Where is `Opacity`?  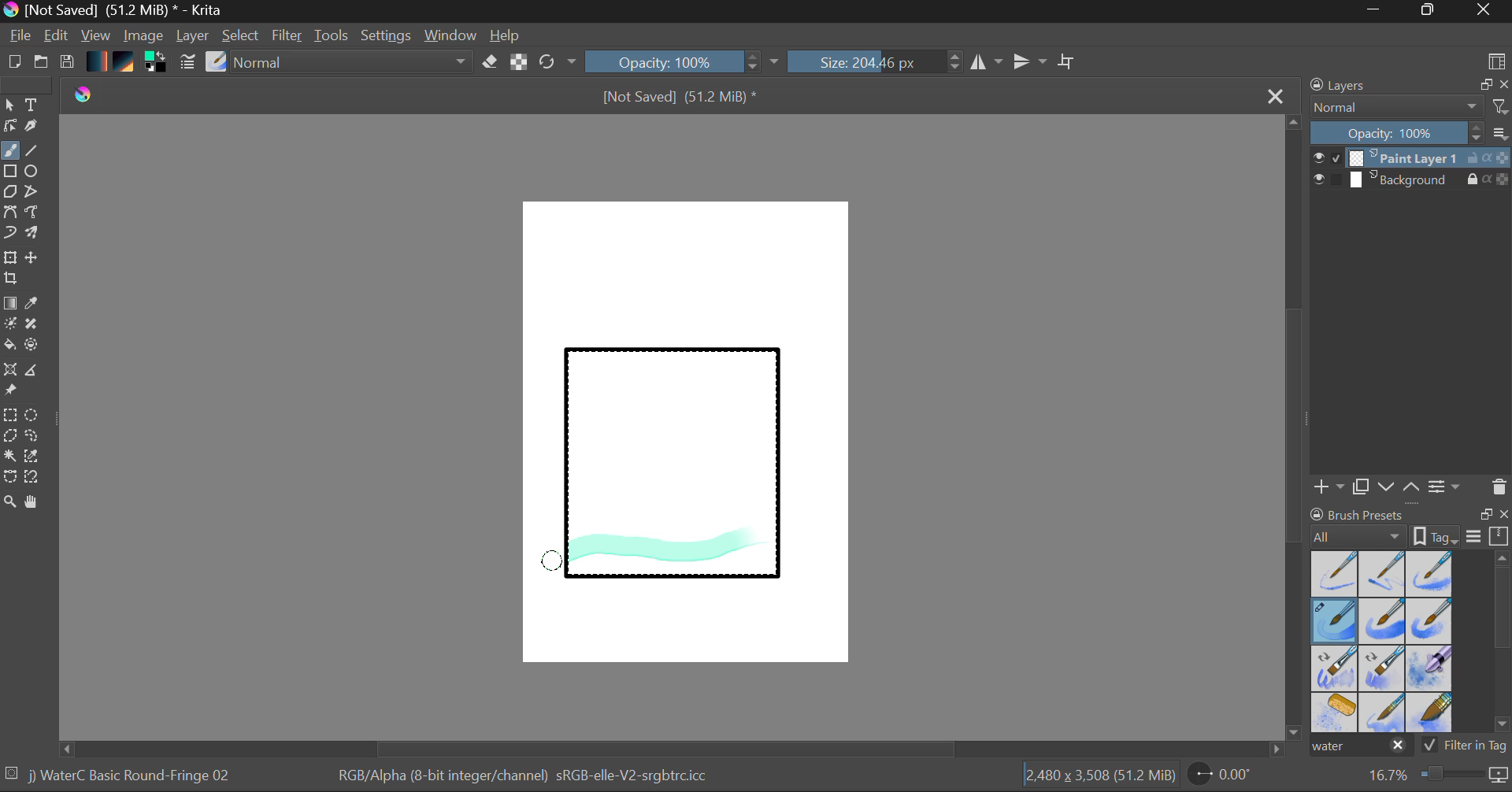
Opacity is located at coordinates (684, 61).